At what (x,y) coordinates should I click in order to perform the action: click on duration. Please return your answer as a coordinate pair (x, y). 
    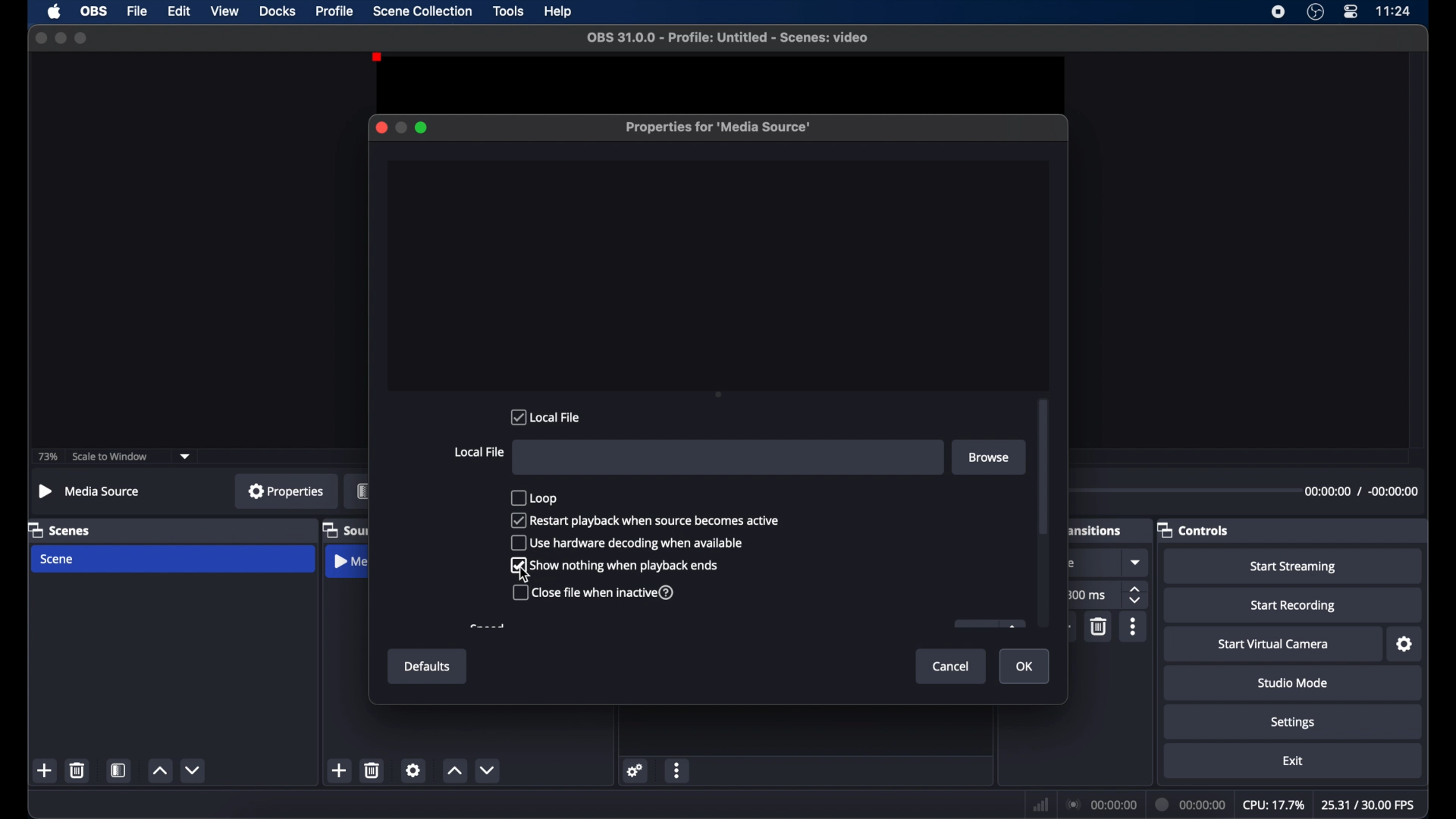
    Looking at the image, I should click on (1191, 805).